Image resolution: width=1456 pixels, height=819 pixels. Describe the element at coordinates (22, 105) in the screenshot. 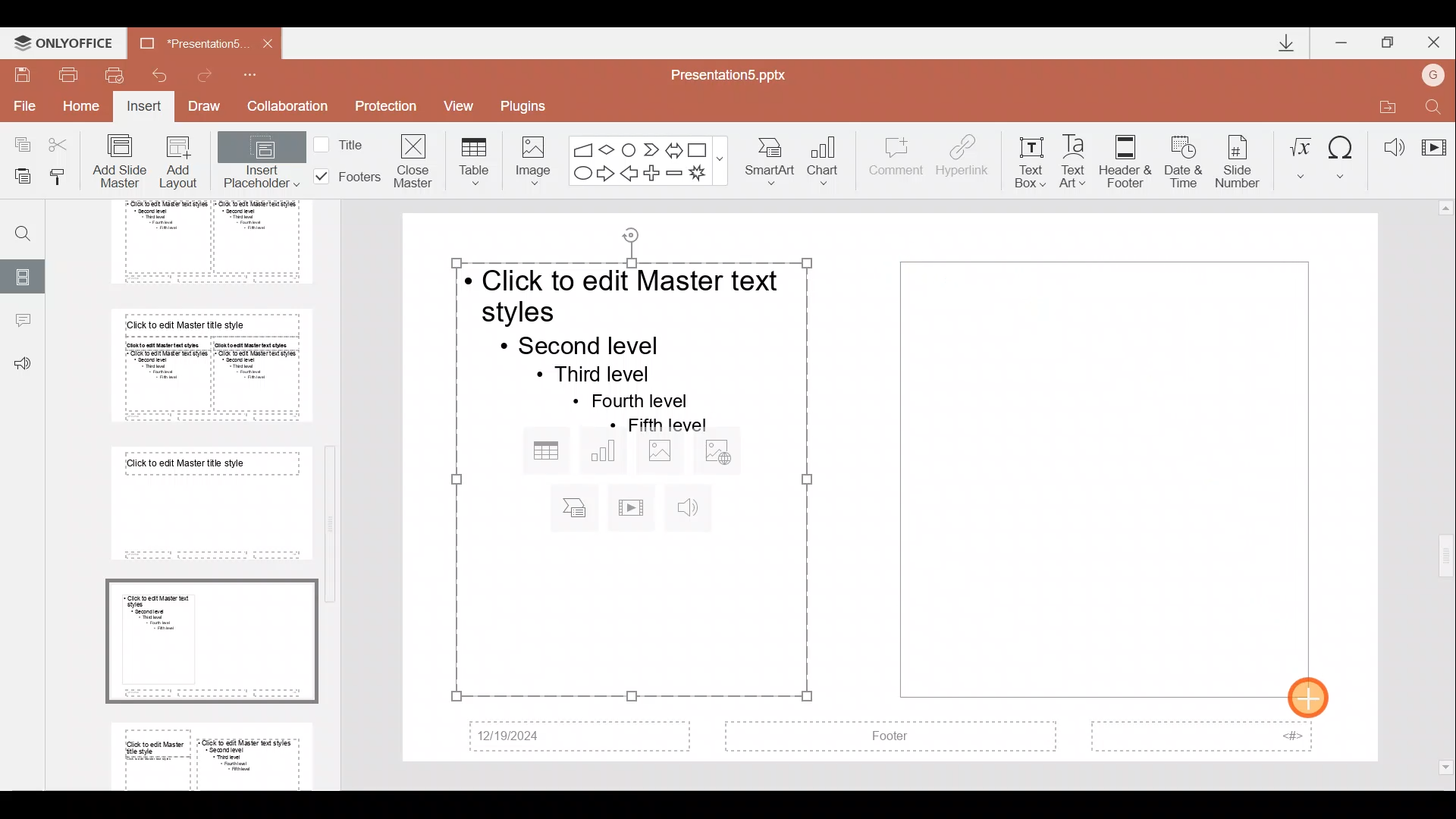

I see `File` at that location.